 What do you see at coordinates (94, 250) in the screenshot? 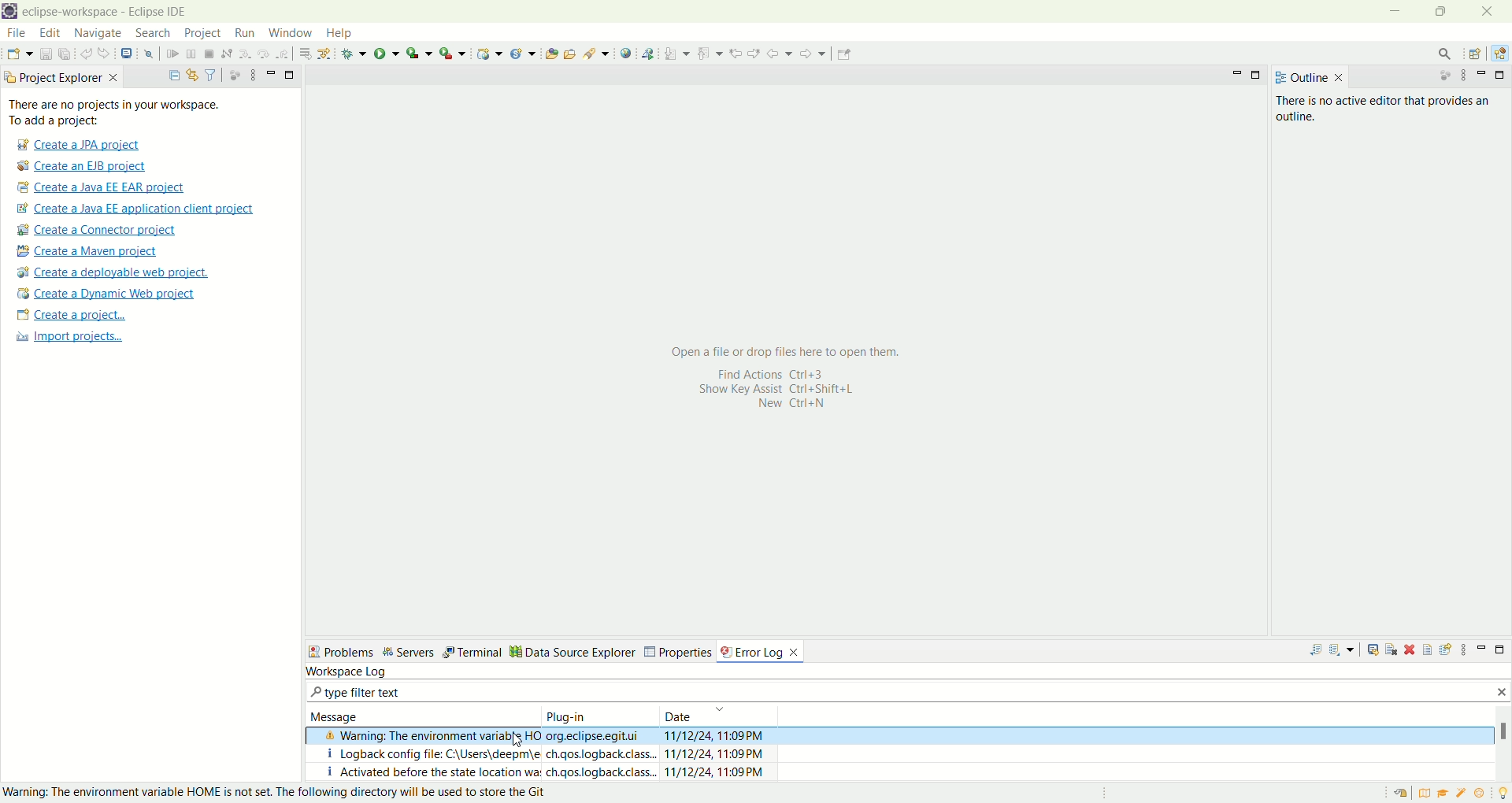
I see `create a maven project` at bounding box center [94, 250].